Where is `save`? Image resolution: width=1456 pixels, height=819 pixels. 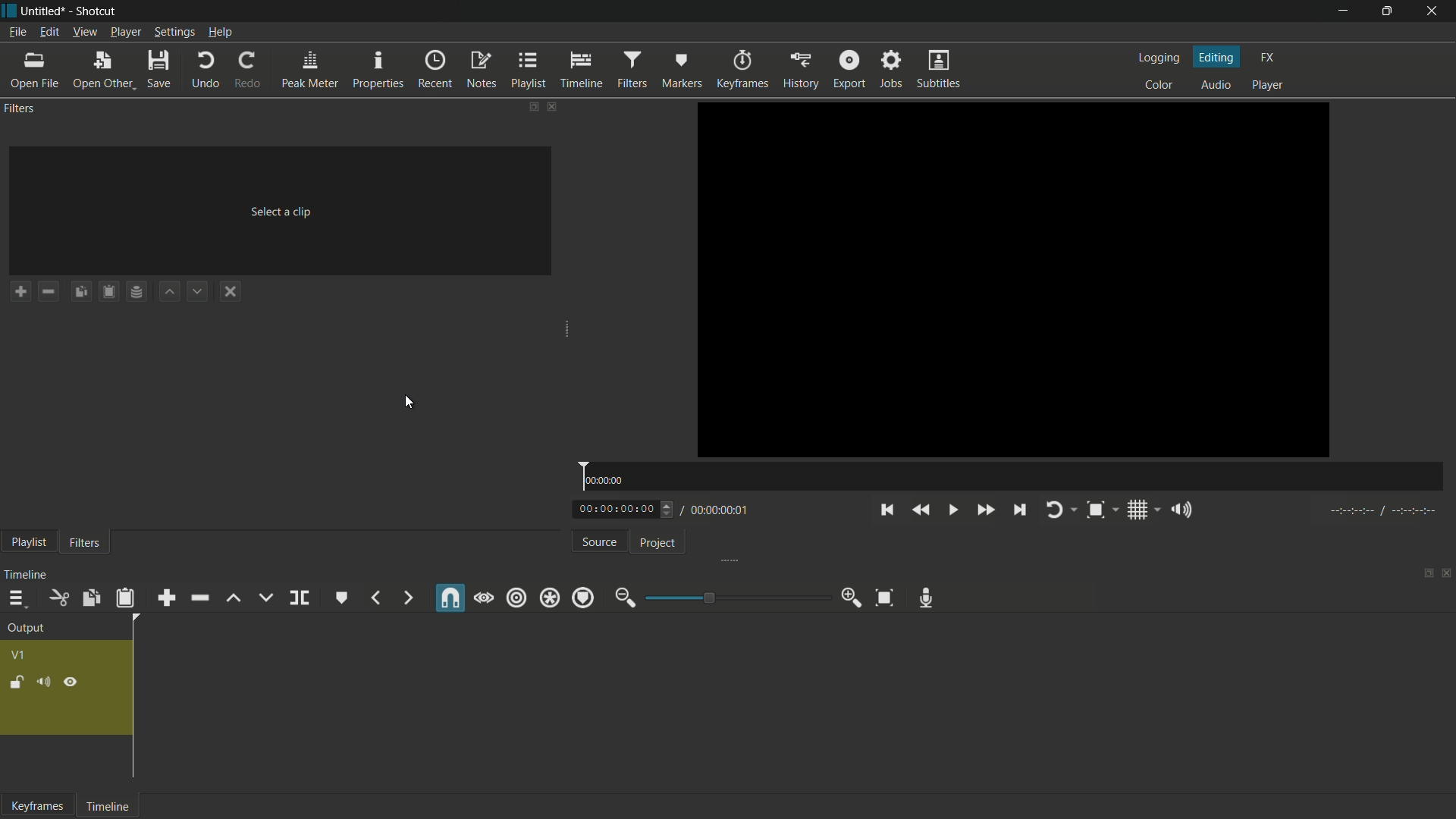
save is located at coordinates (157, 67).